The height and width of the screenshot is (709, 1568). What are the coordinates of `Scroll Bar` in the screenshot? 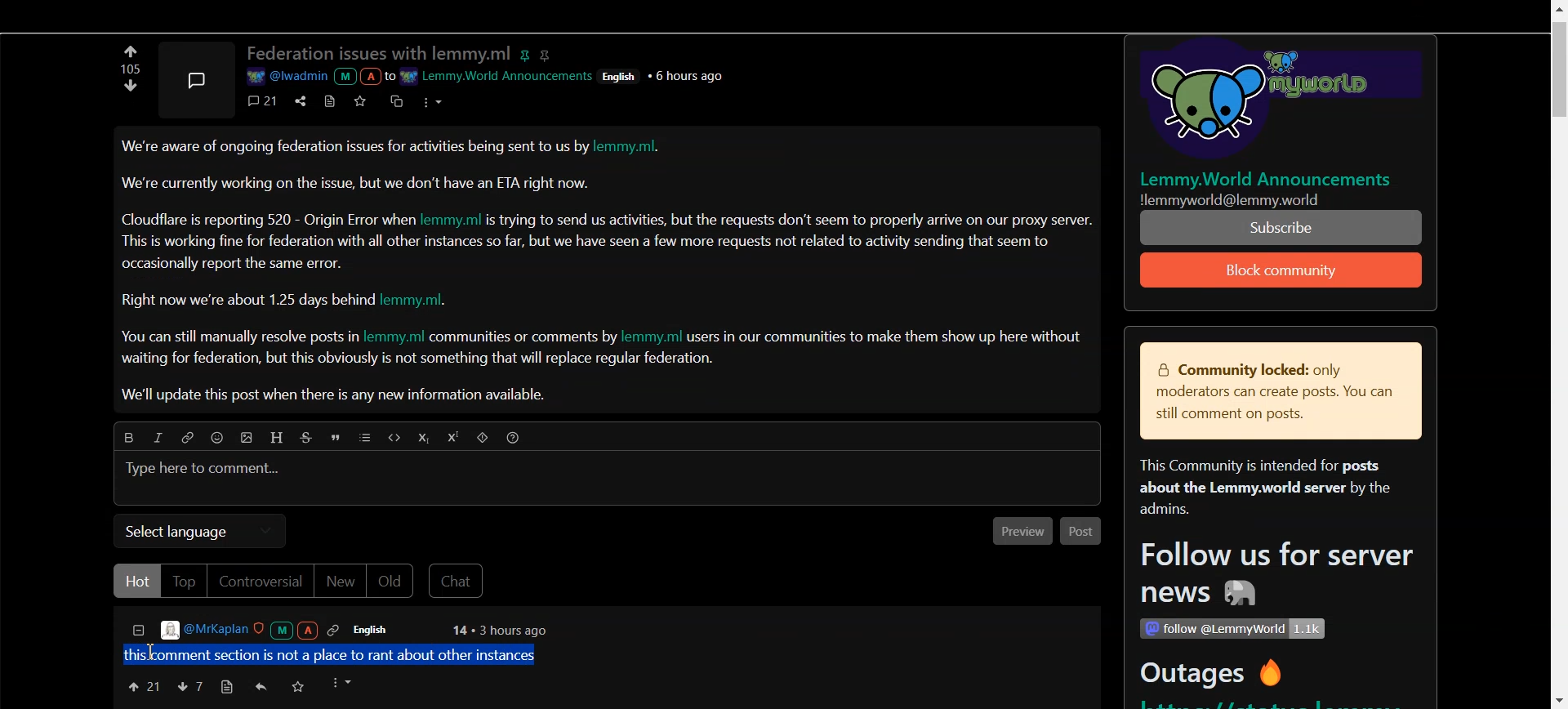 It's located at (1557, 354).